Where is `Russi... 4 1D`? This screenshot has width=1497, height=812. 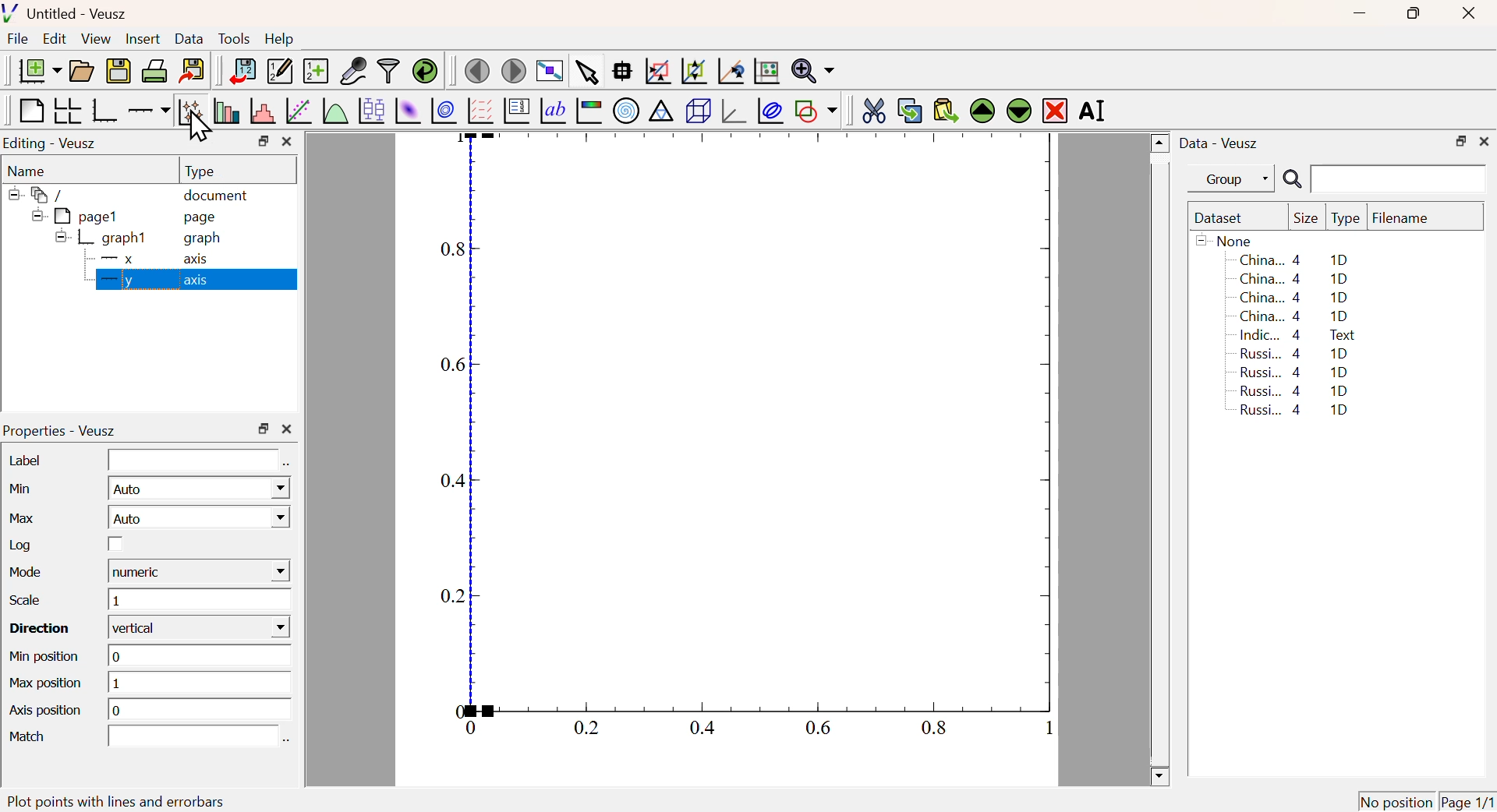 Russi... 4 1D is located at coordinates (1294, 372).